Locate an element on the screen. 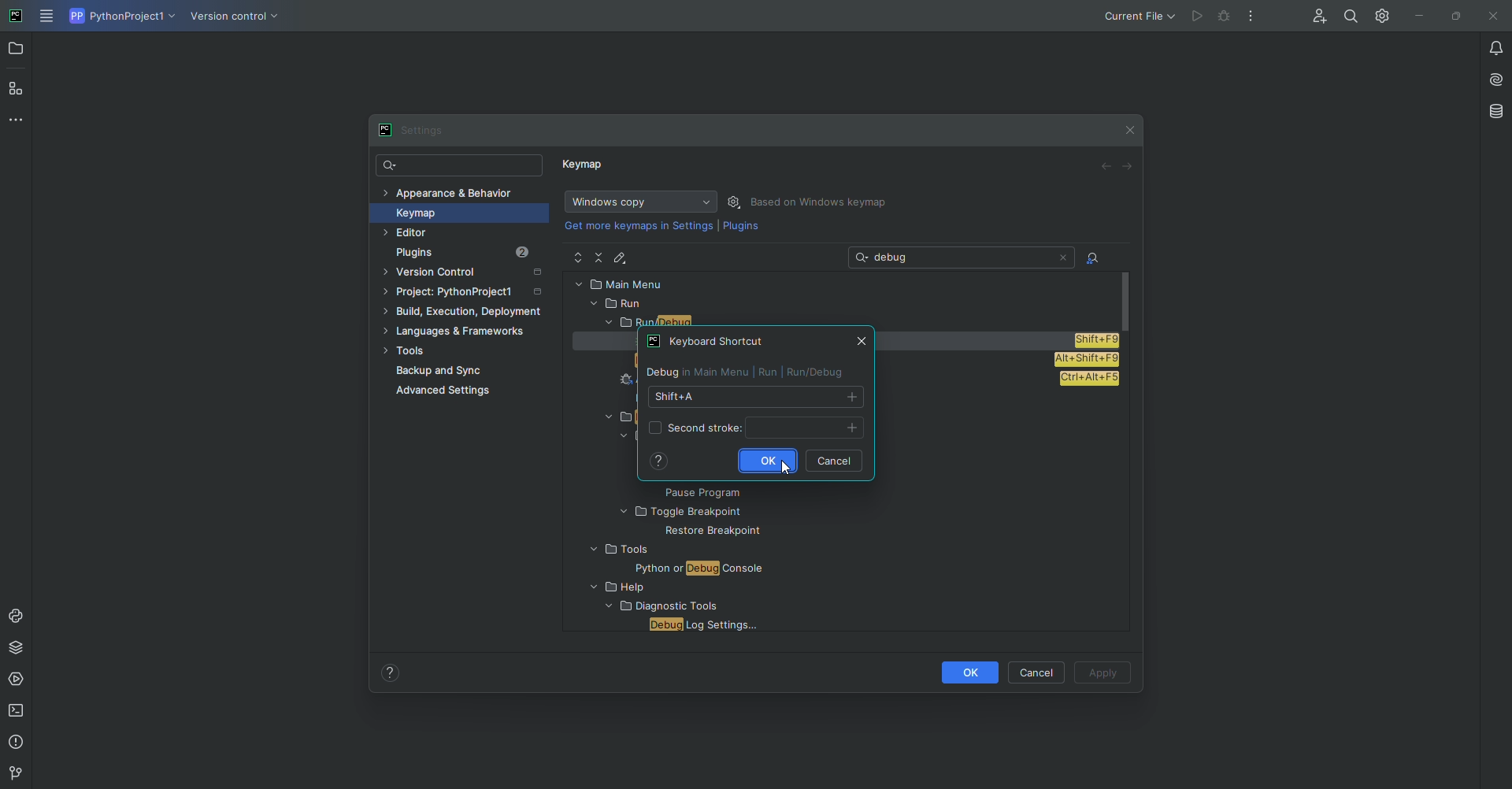  Database is located at coordinates (1495, 111).